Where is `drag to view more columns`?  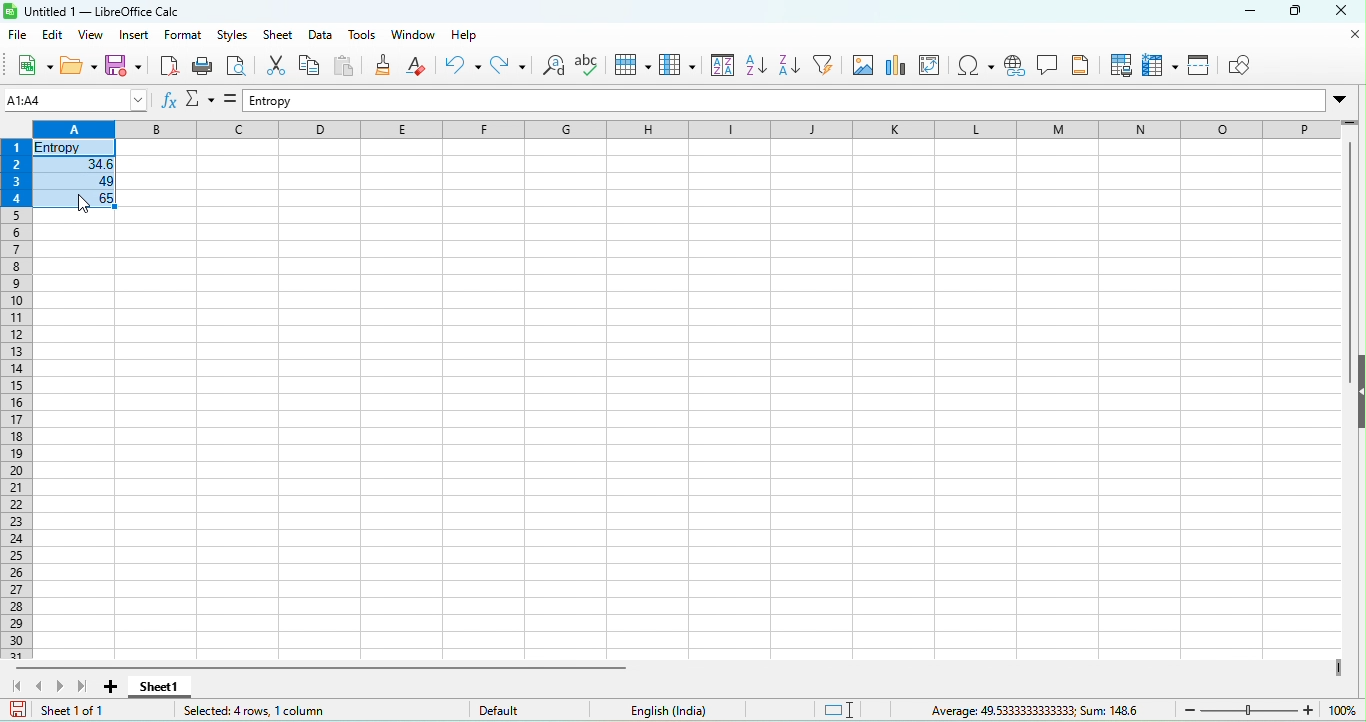 drag to view more columns is located at coordinates (1339, 667).